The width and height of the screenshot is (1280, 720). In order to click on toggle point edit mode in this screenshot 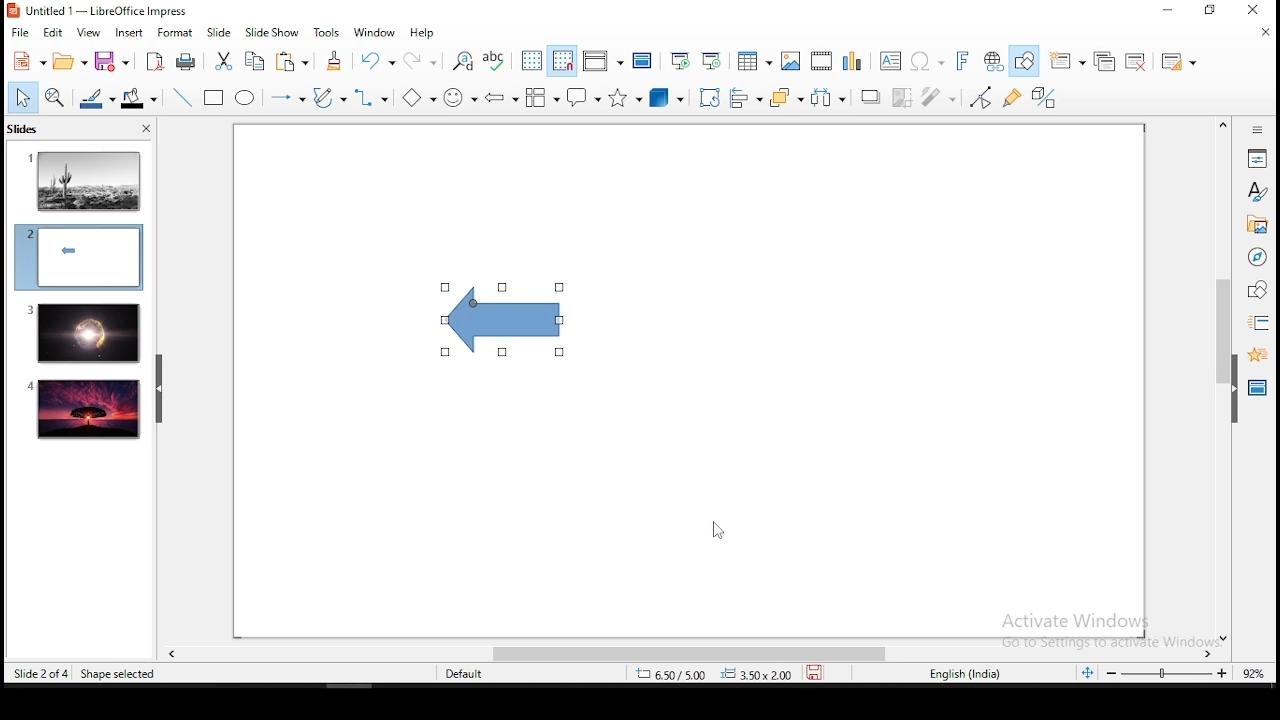, I will do `click(981, 99)`.